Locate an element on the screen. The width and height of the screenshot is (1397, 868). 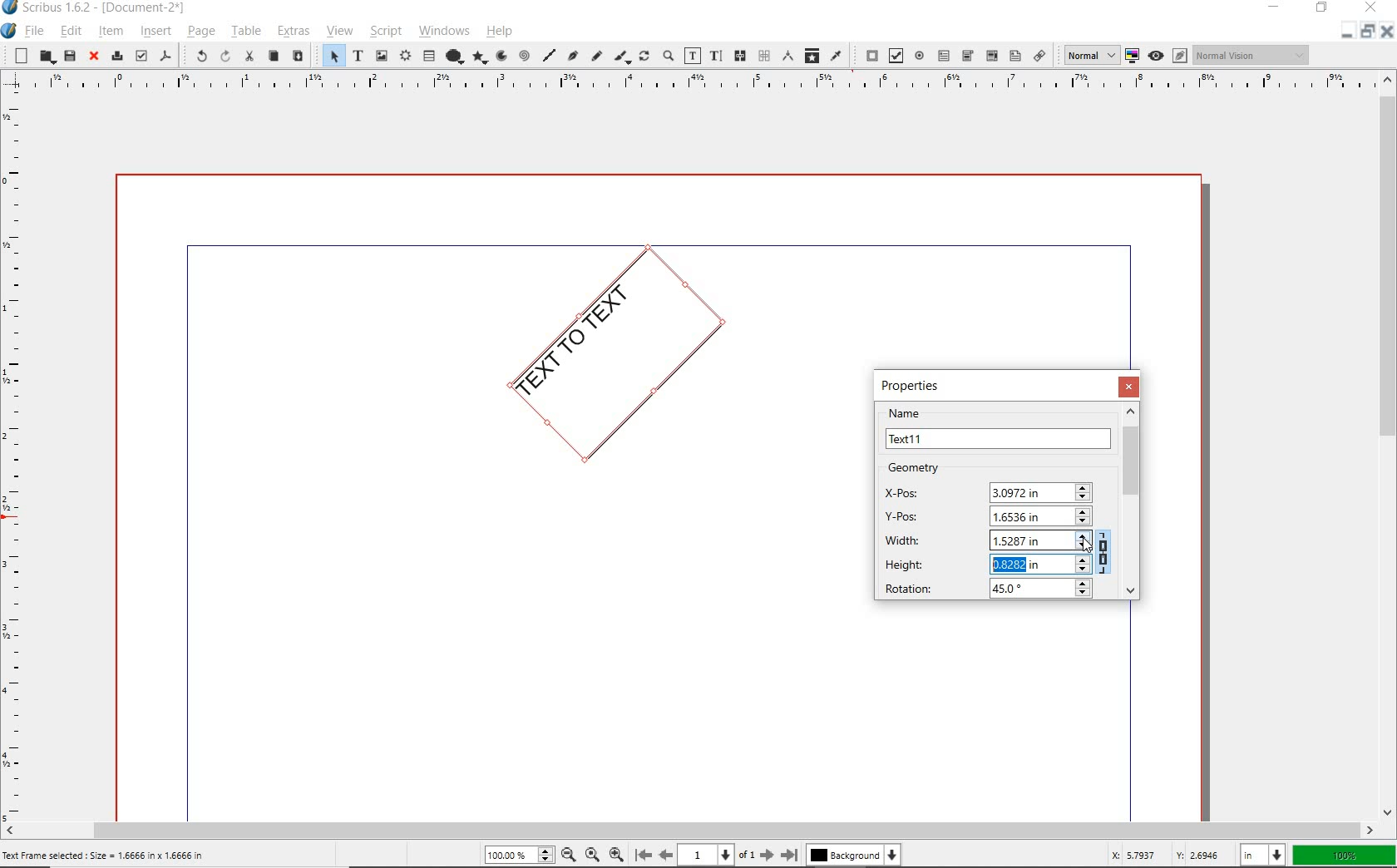
minimize/restore/close document is located at coordinates (1366, 31).